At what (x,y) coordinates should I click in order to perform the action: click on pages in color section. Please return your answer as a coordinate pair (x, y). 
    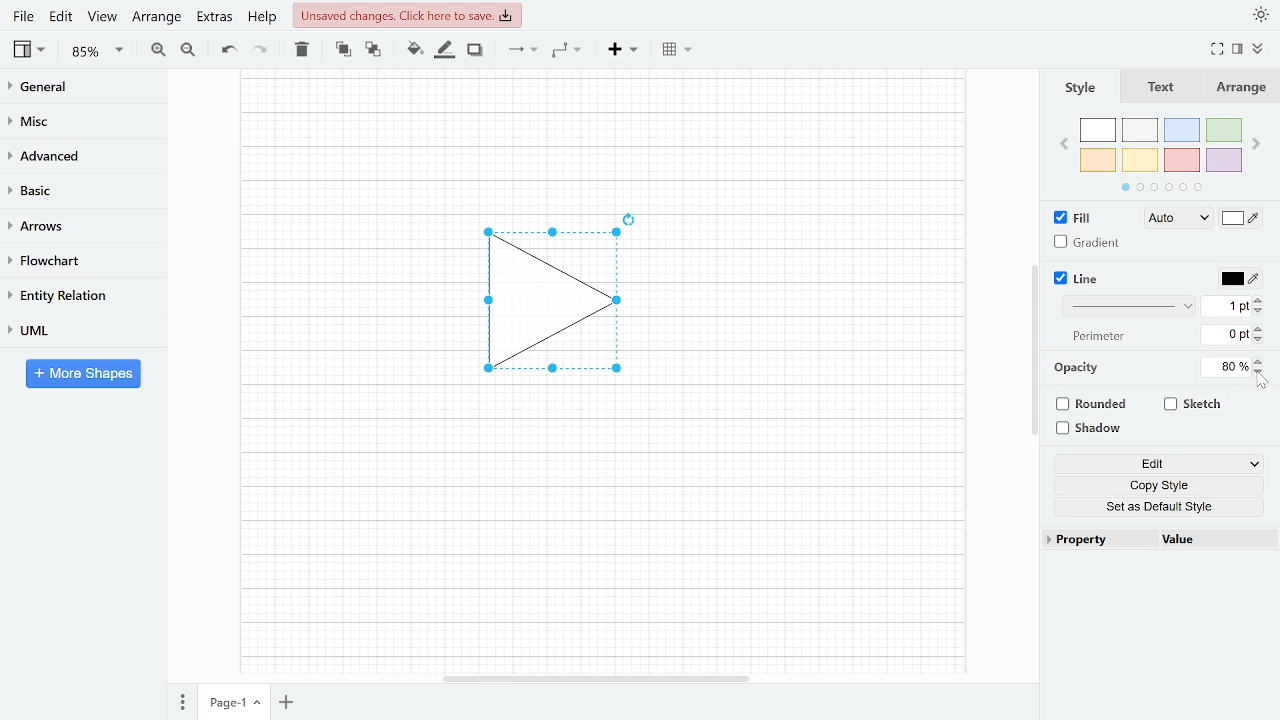
    Looking at the image, I should click on (1159, 185).